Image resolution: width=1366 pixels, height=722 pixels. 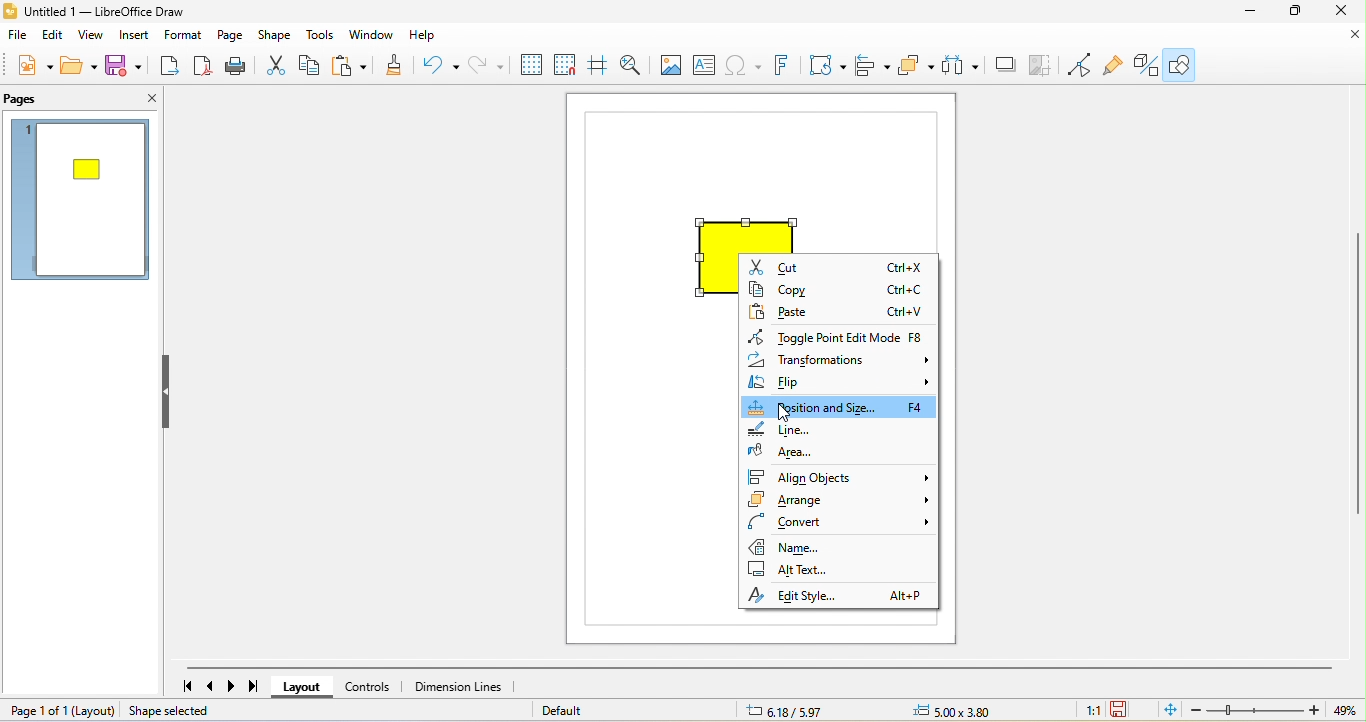 I want to click on show draw function, so click(x=1183, y=66).